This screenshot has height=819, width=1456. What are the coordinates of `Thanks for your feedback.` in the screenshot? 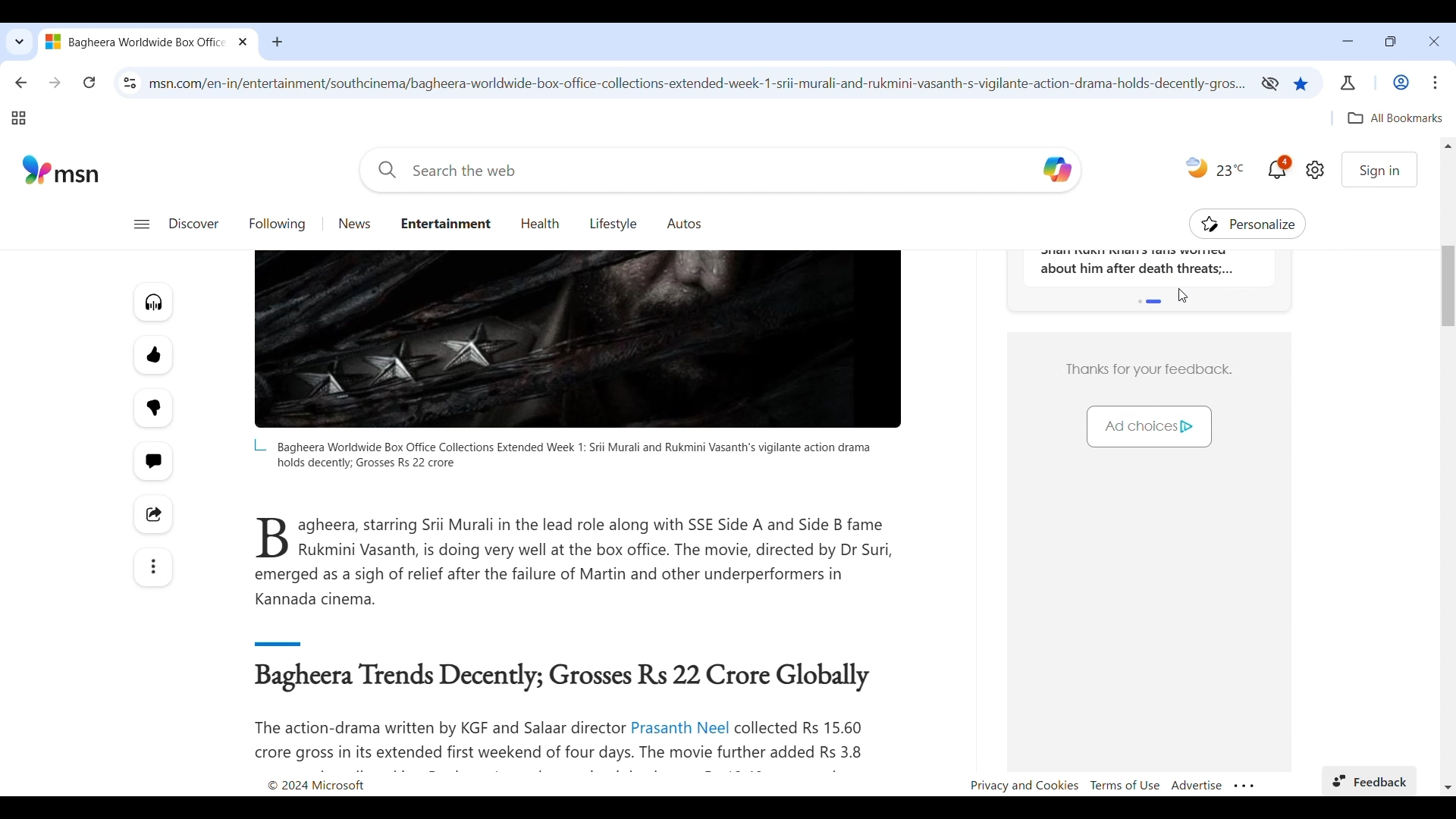 It's located at (1151, 366).